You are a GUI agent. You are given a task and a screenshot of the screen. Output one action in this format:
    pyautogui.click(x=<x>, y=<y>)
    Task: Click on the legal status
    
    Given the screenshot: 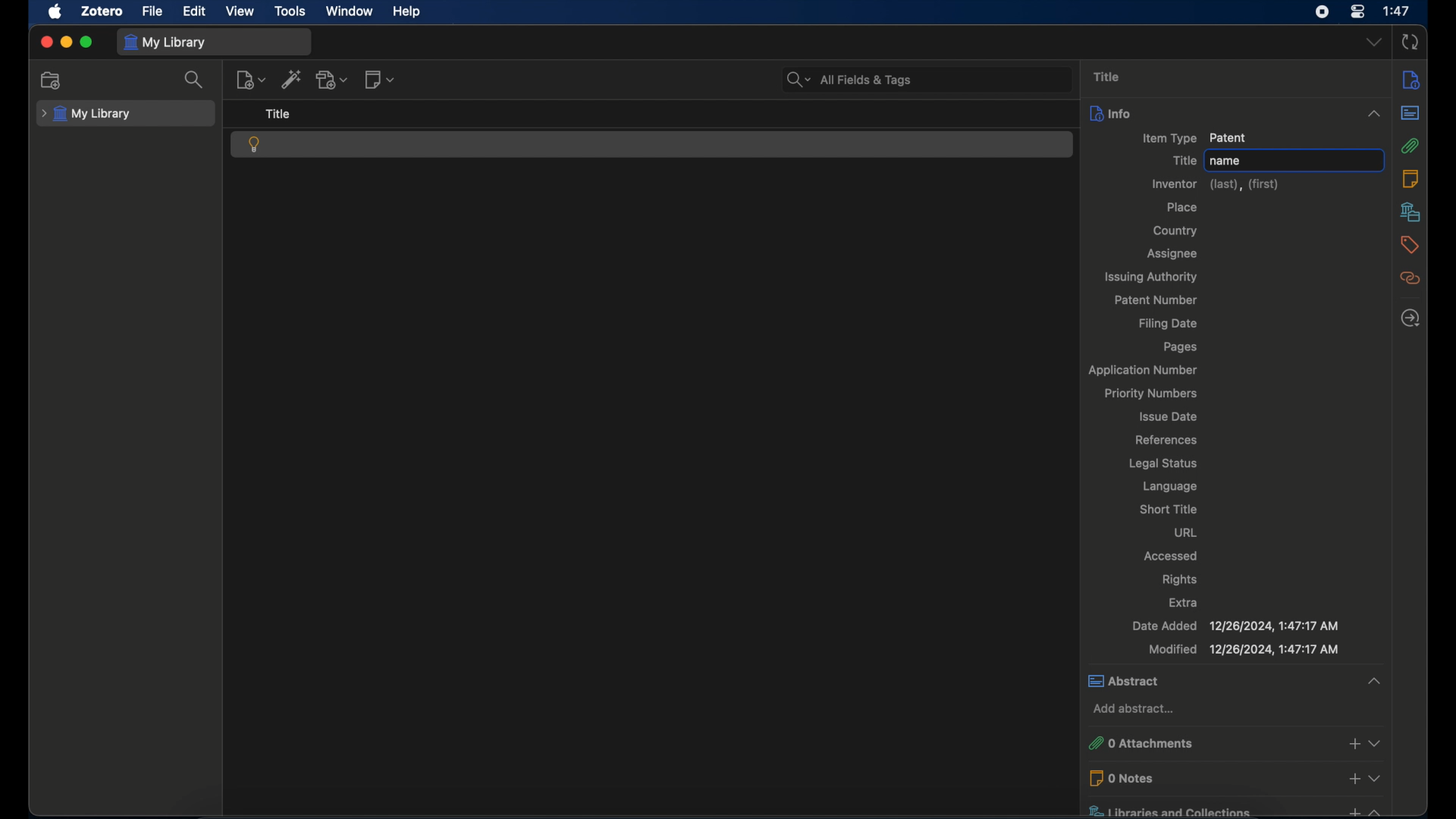 What is the action you would take?
    pyautogui.click(x=1163, y=463)
    